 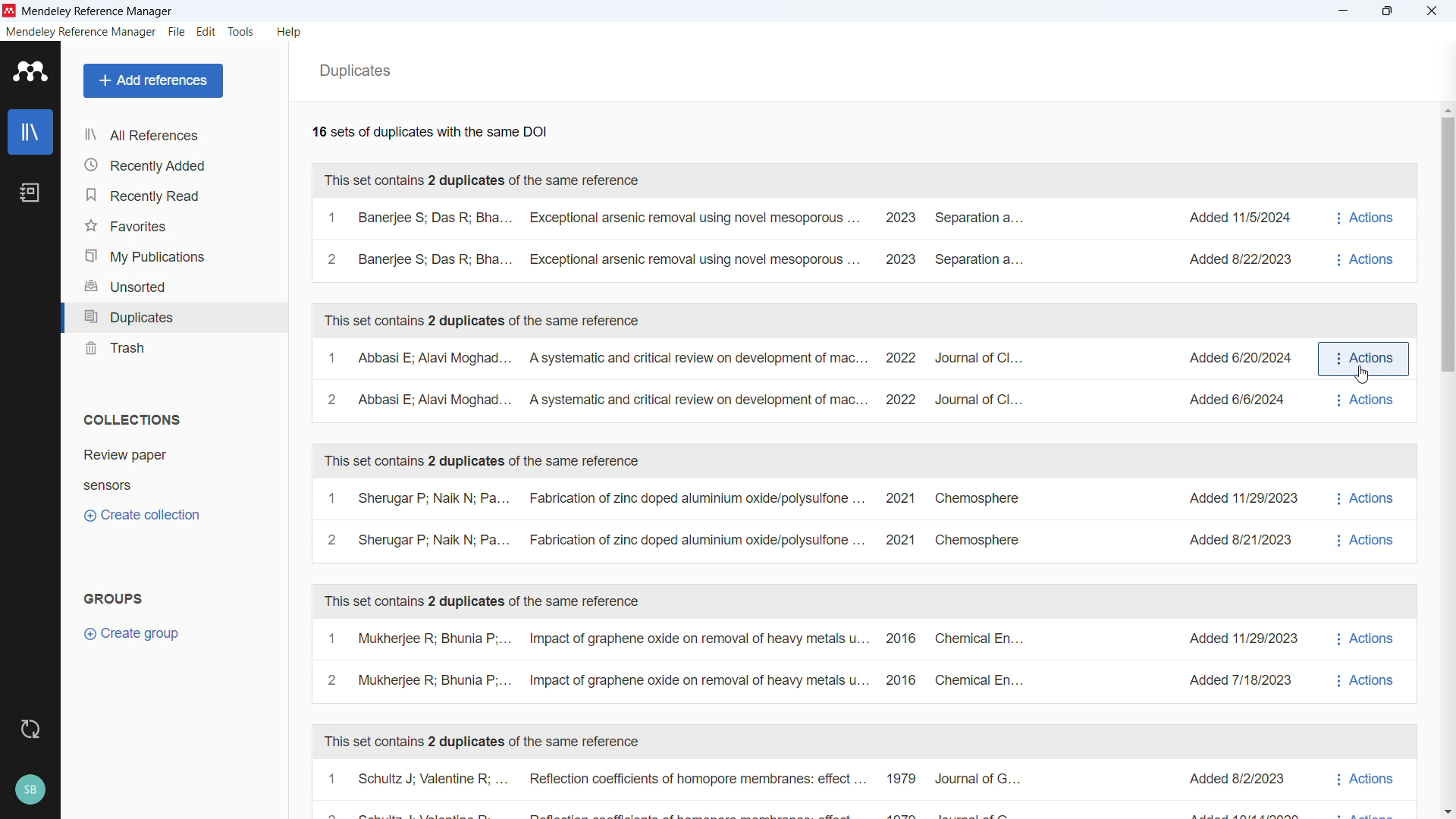 I want to click on logo, so click(x=30, y=73).